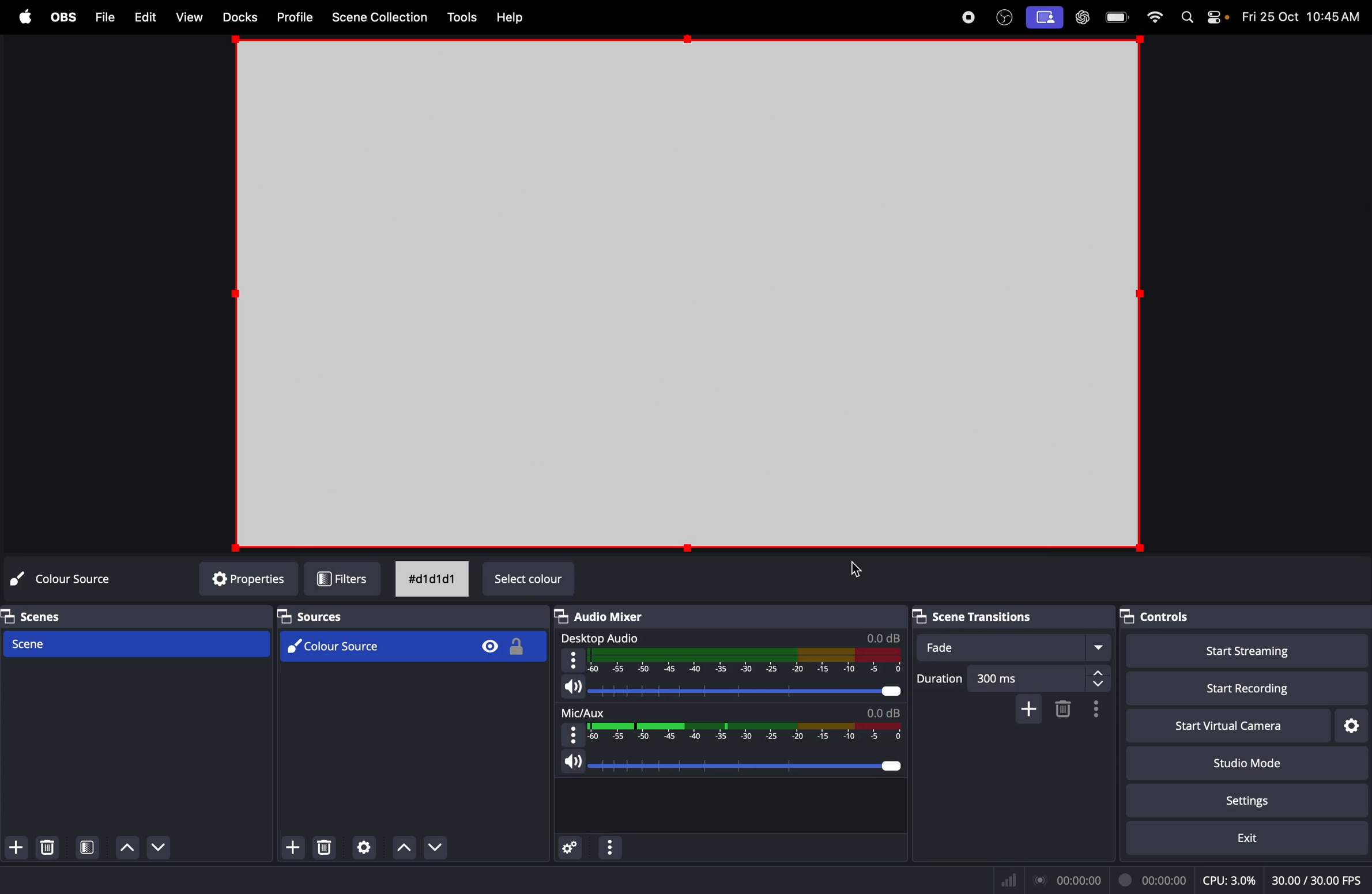  What do you see at coordinates (1041, 678) in the screenshot?
I see `300ms` at bounding box center [1041, 678].